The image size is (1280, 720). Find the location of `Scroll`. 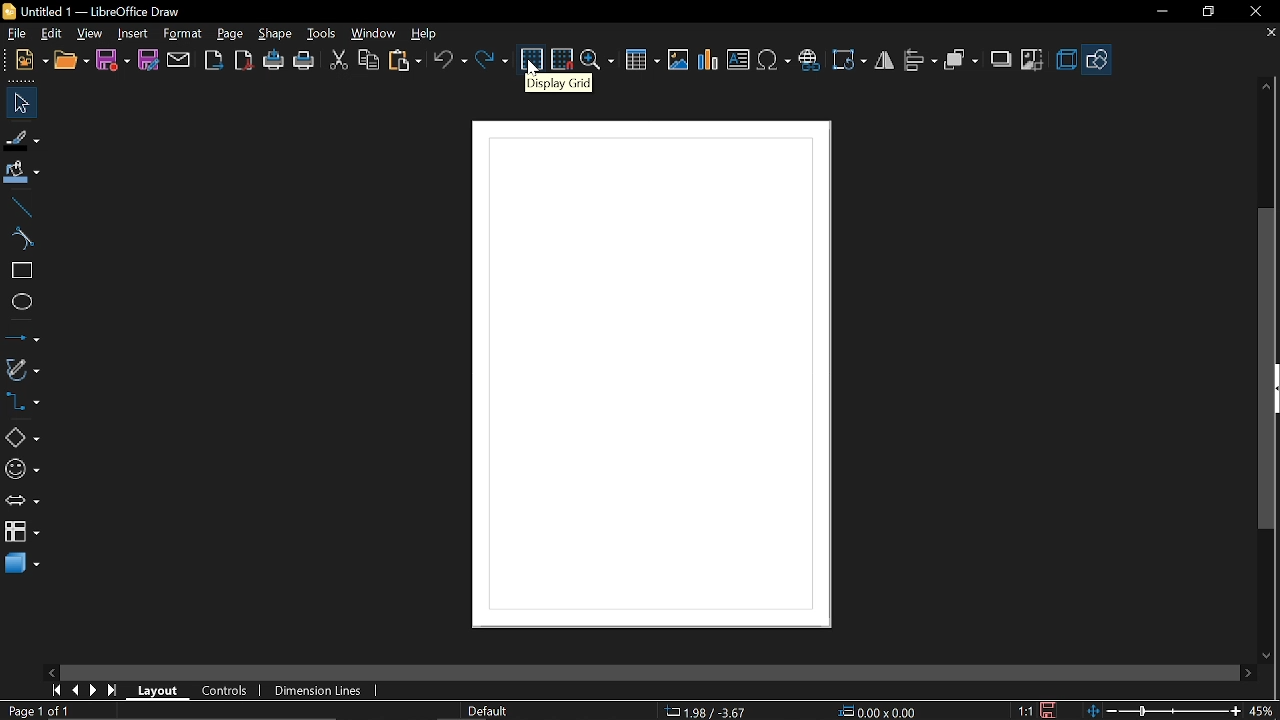

Scroll is located at coordinates (650, 670).